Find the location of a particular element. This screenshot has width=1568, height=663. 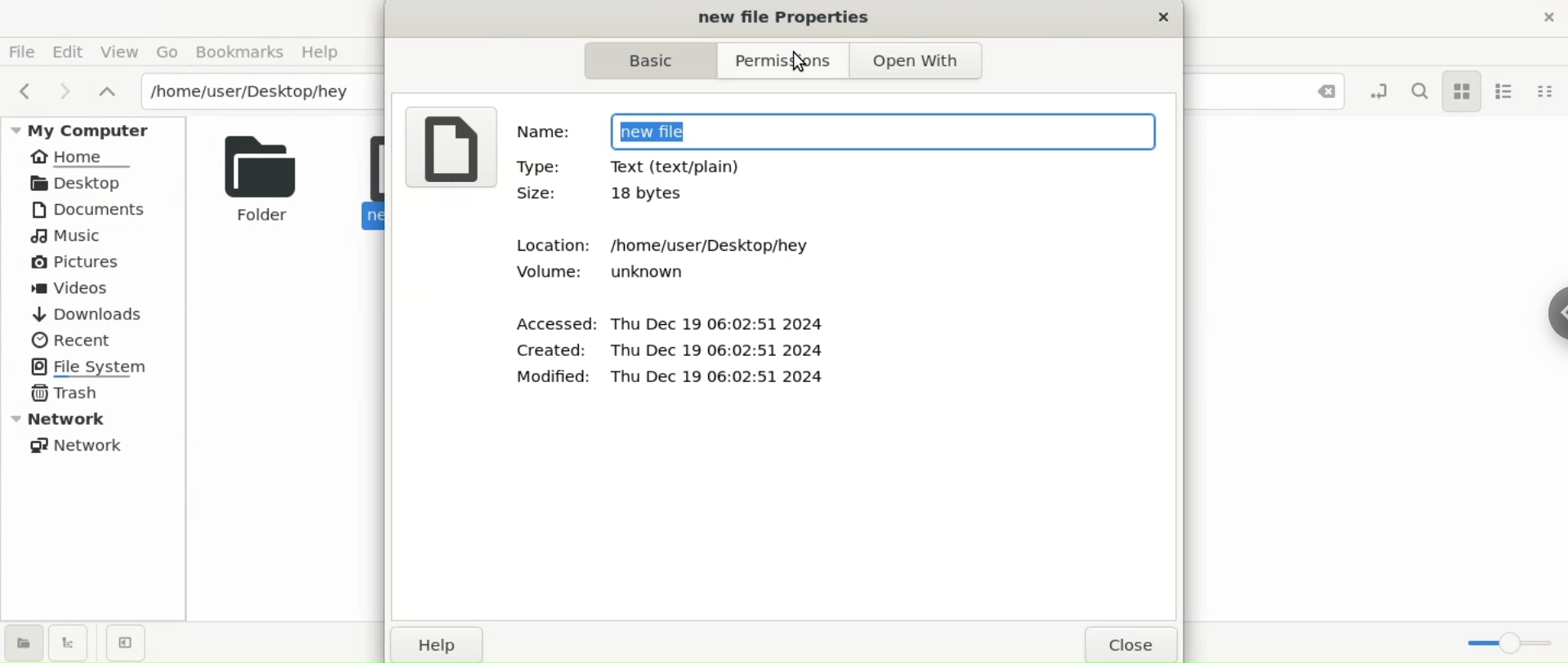

Close is located at coordinates (1134, 643).